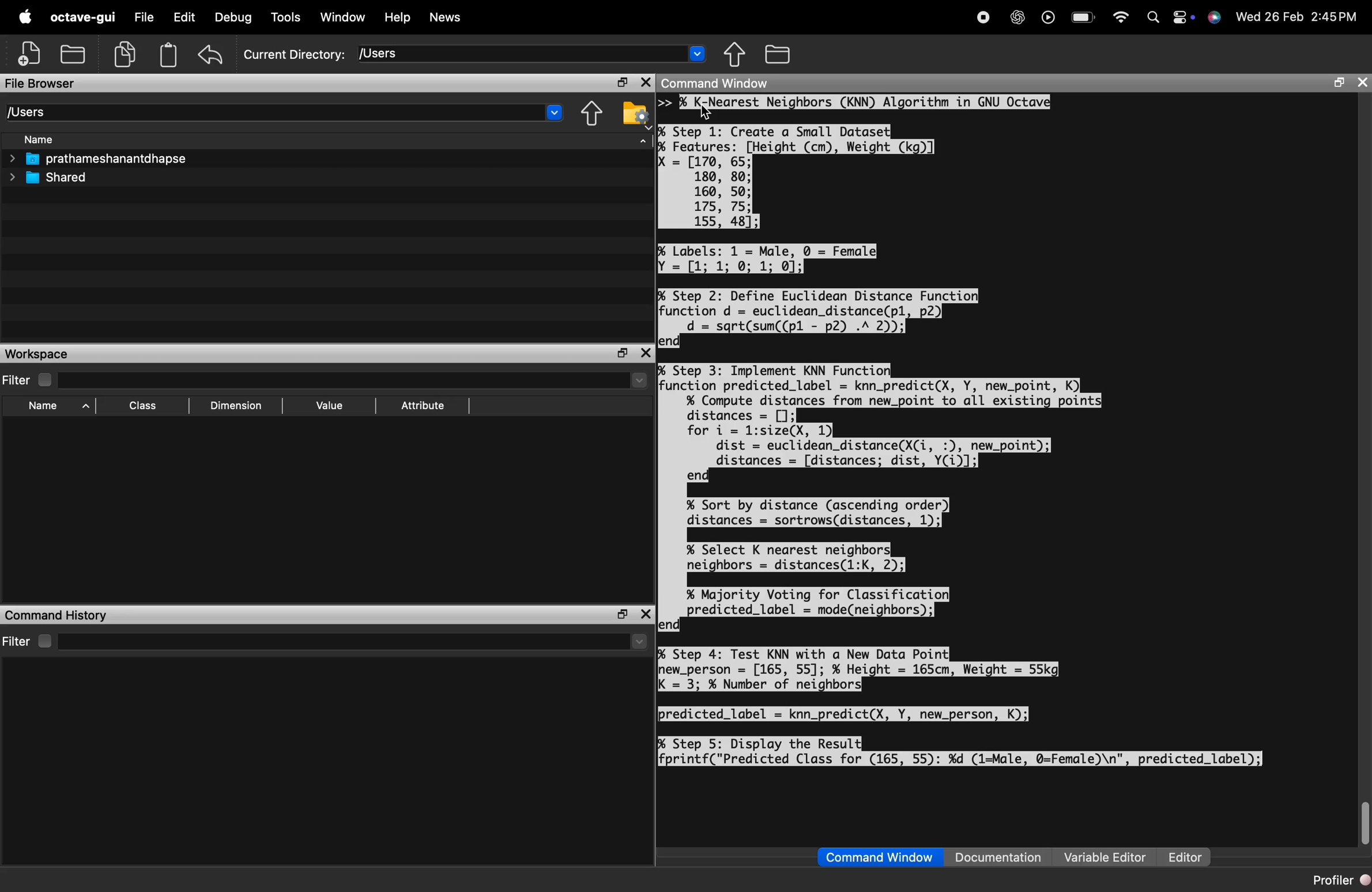  I want to click on settings, so click(634, 119).